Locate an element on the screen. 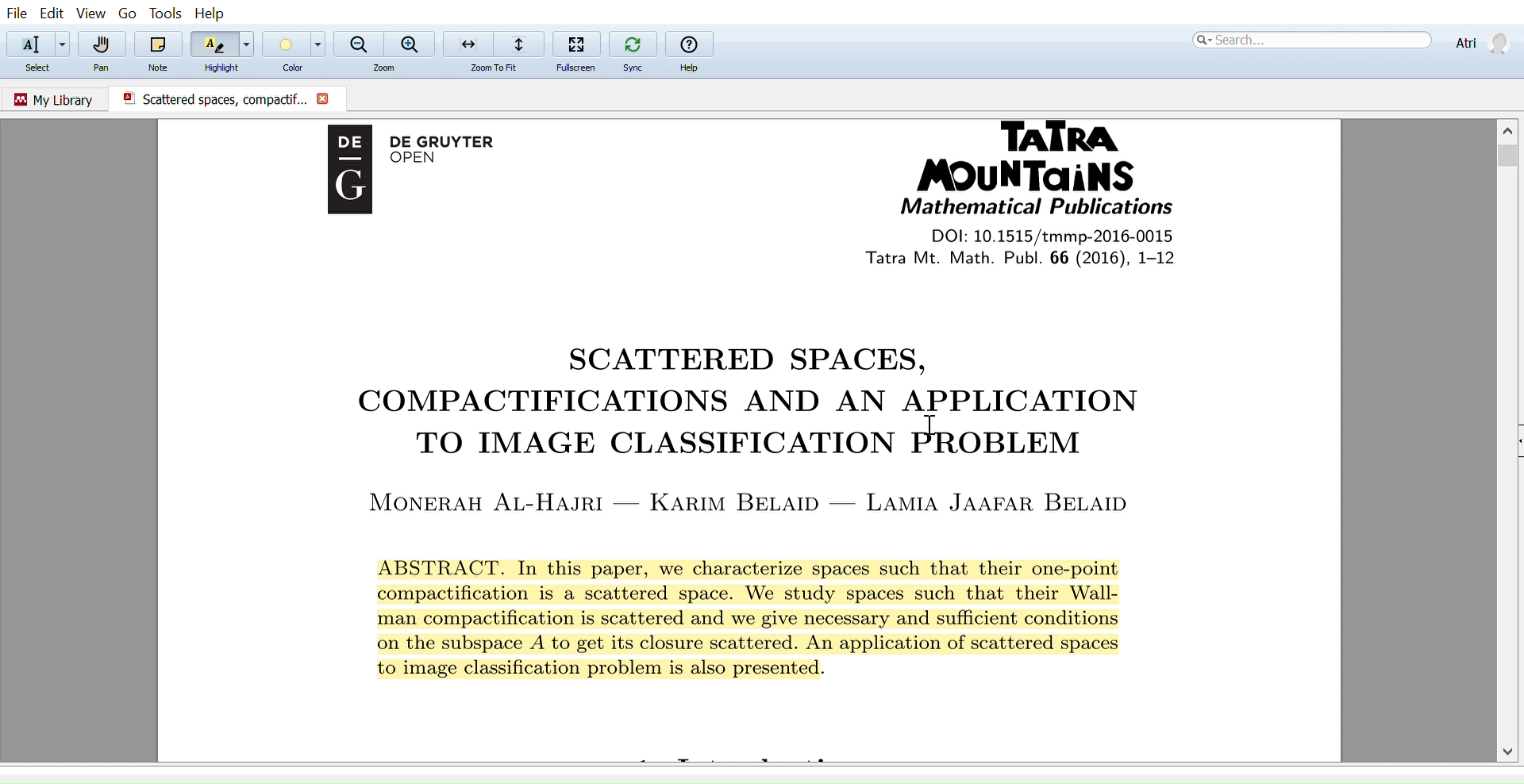 The width and height of the screenshot is (1524, 784). Go to my library is located at coordinates (56, 98).